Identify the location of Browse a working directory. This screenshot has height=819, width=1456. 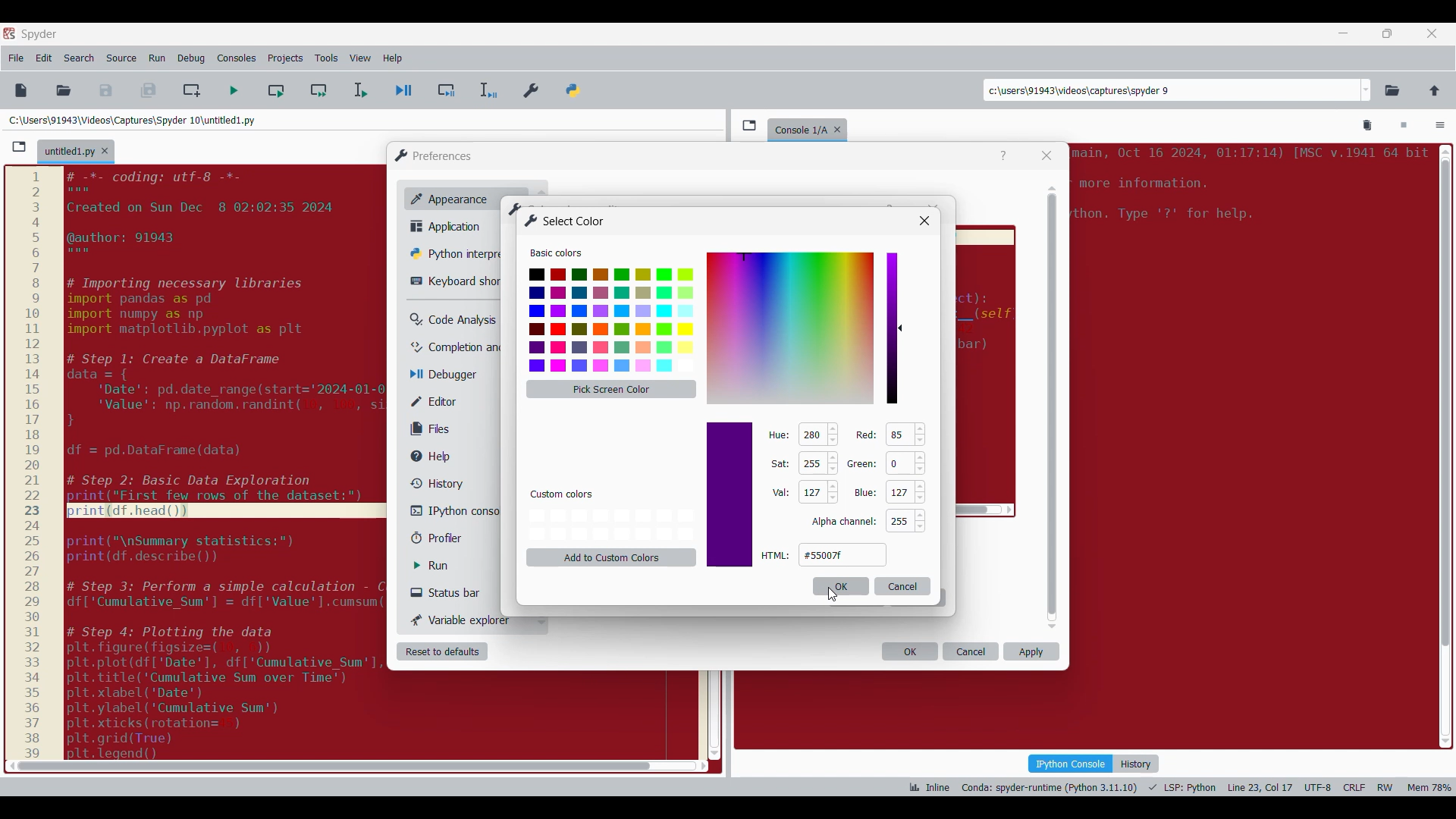
(1392, 90).